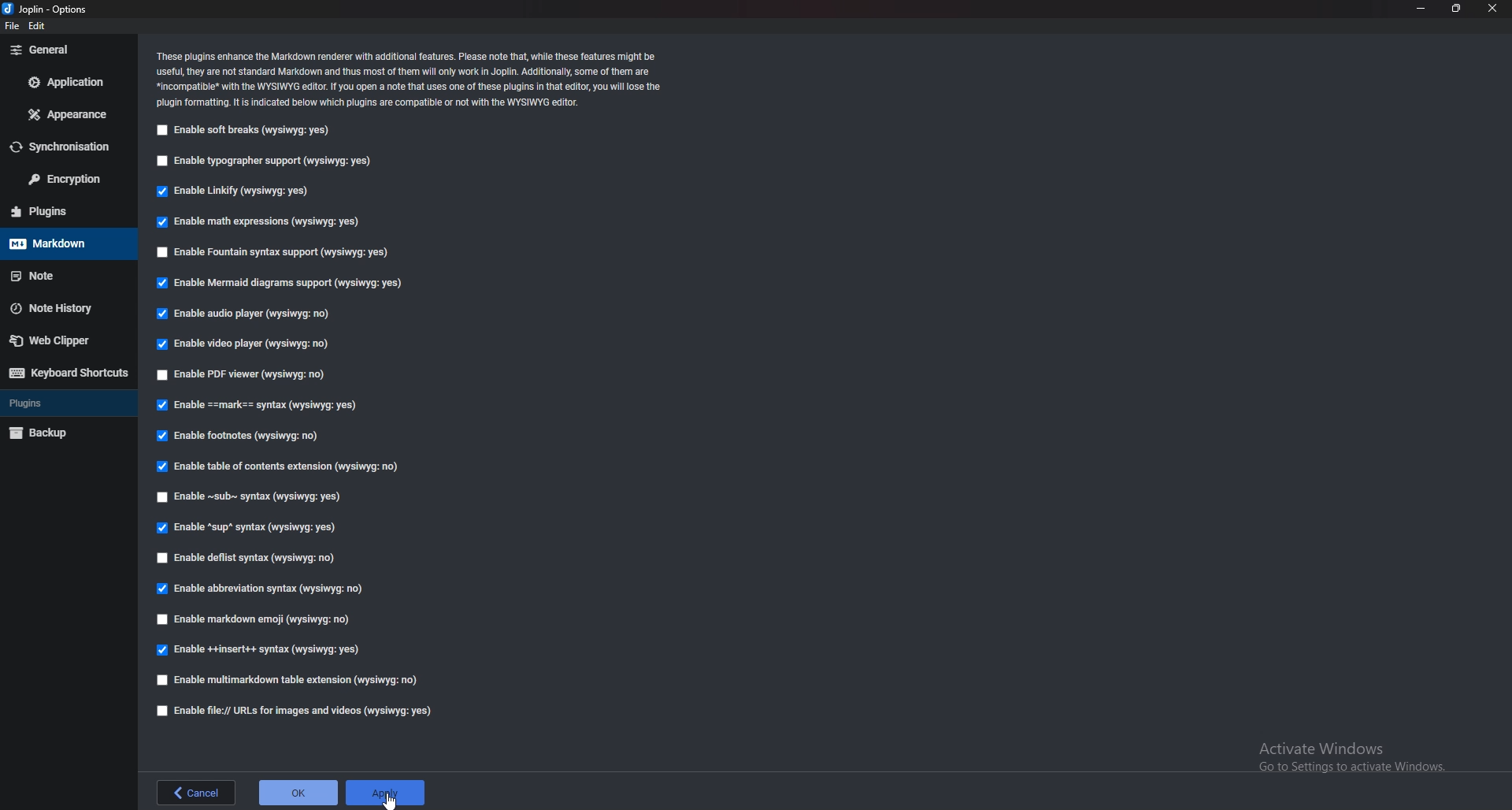 Image resolution: width=1512 pixels, height=810 pixels. Describe the element at coordinates (61, 405) in the screenshot. I see `Plugins` at that location.